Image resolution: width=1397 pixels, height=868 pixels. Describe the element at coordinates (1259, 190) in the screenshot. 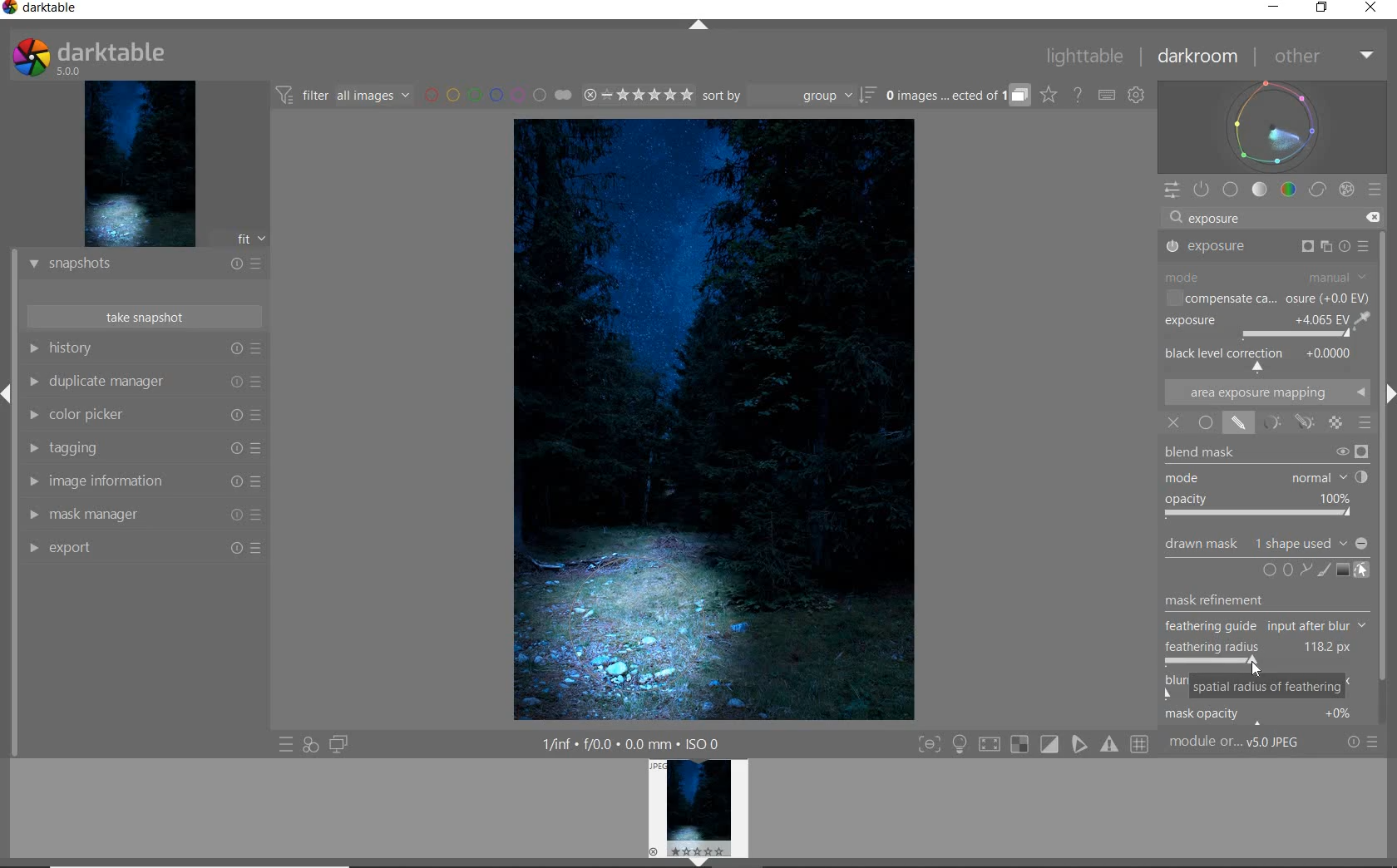

I see `TONE` at that location.